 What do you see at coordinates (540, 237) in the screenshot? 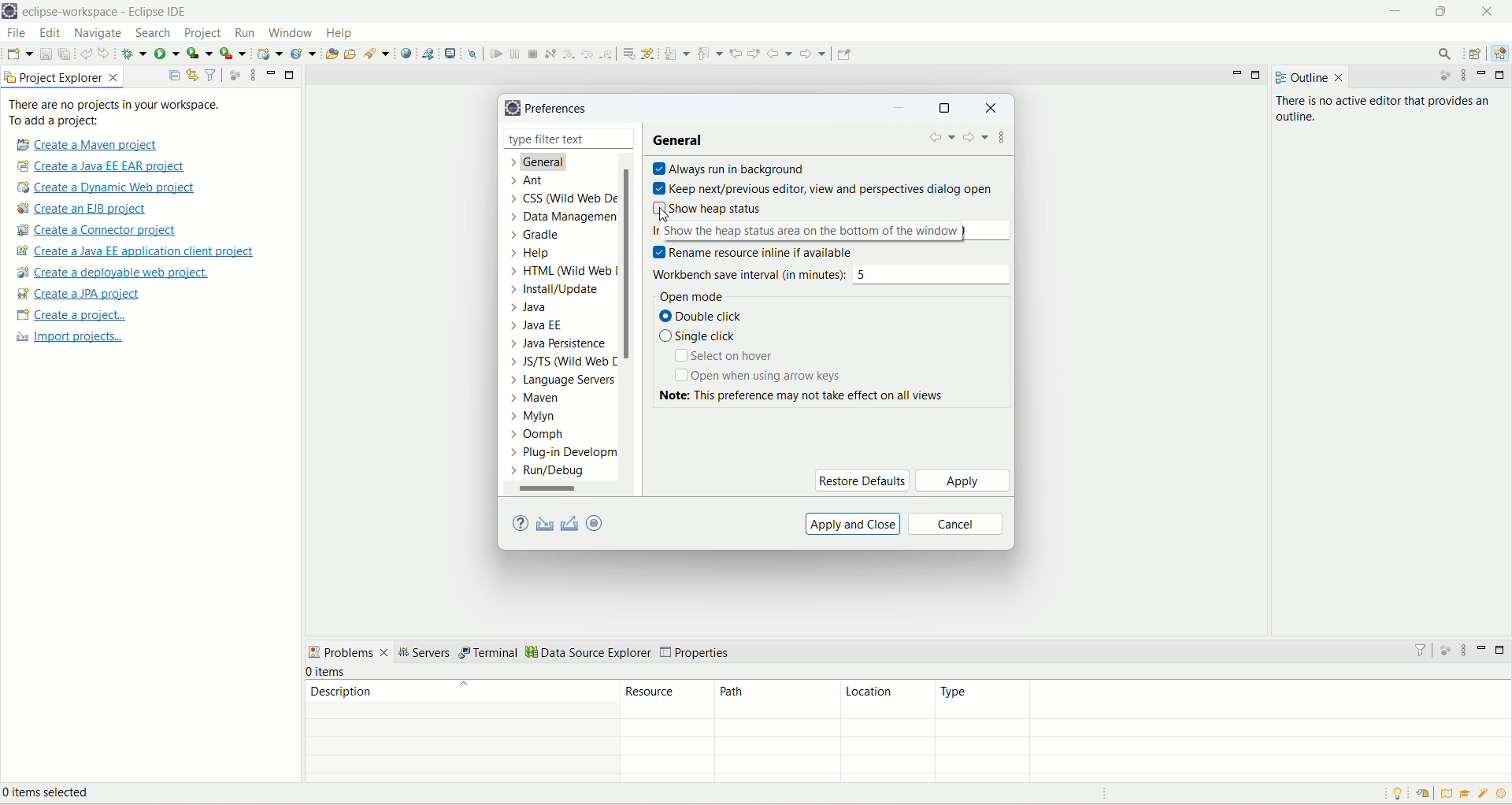
I see `gradle` at bounding box center [540, 237].